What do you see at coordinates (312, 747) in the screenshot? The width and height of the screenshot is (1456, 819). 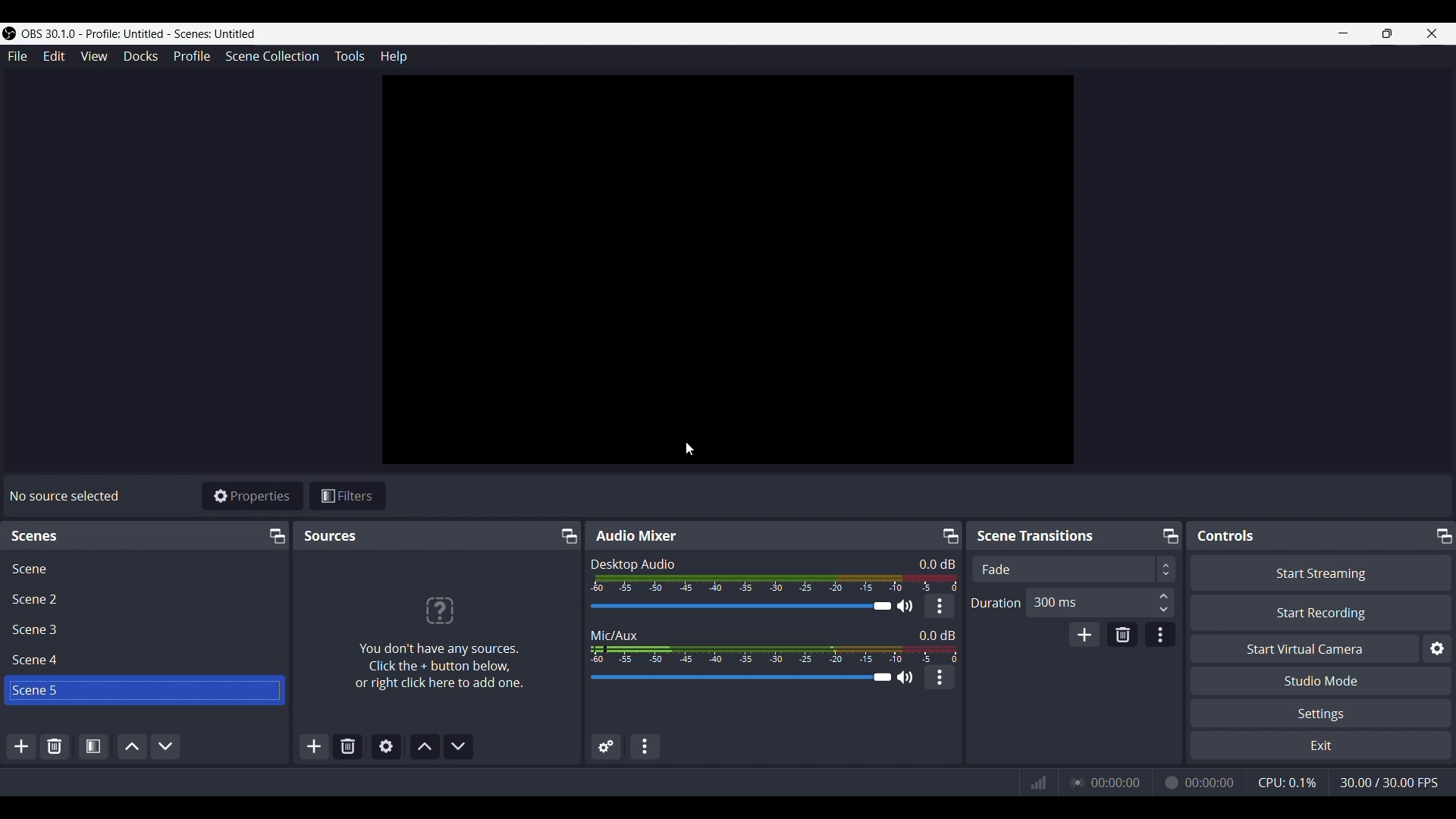 I see `Add Sources` at bounding box center [312, 747].